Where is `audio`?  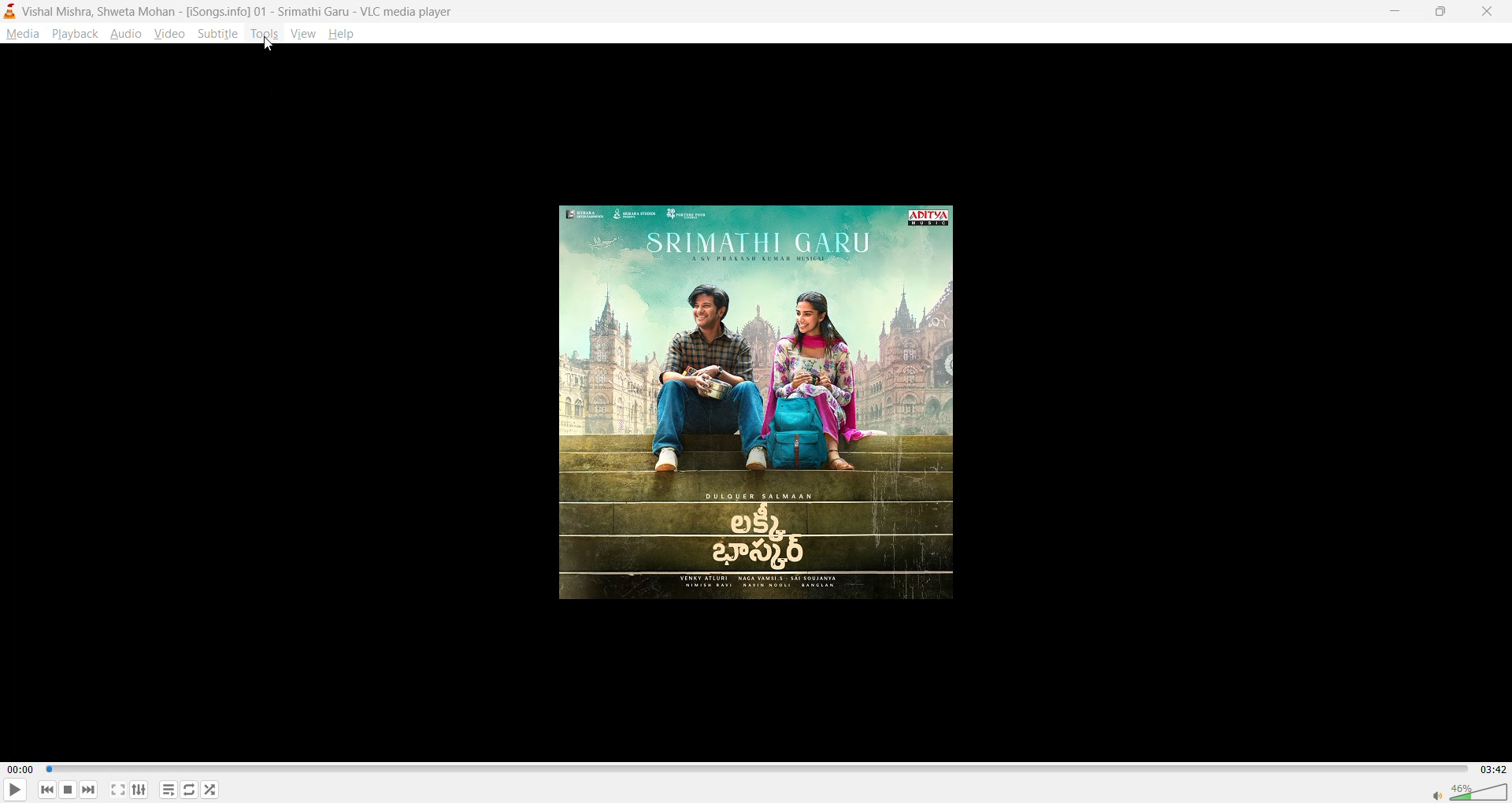
audio is located at coordinates (126, 33).